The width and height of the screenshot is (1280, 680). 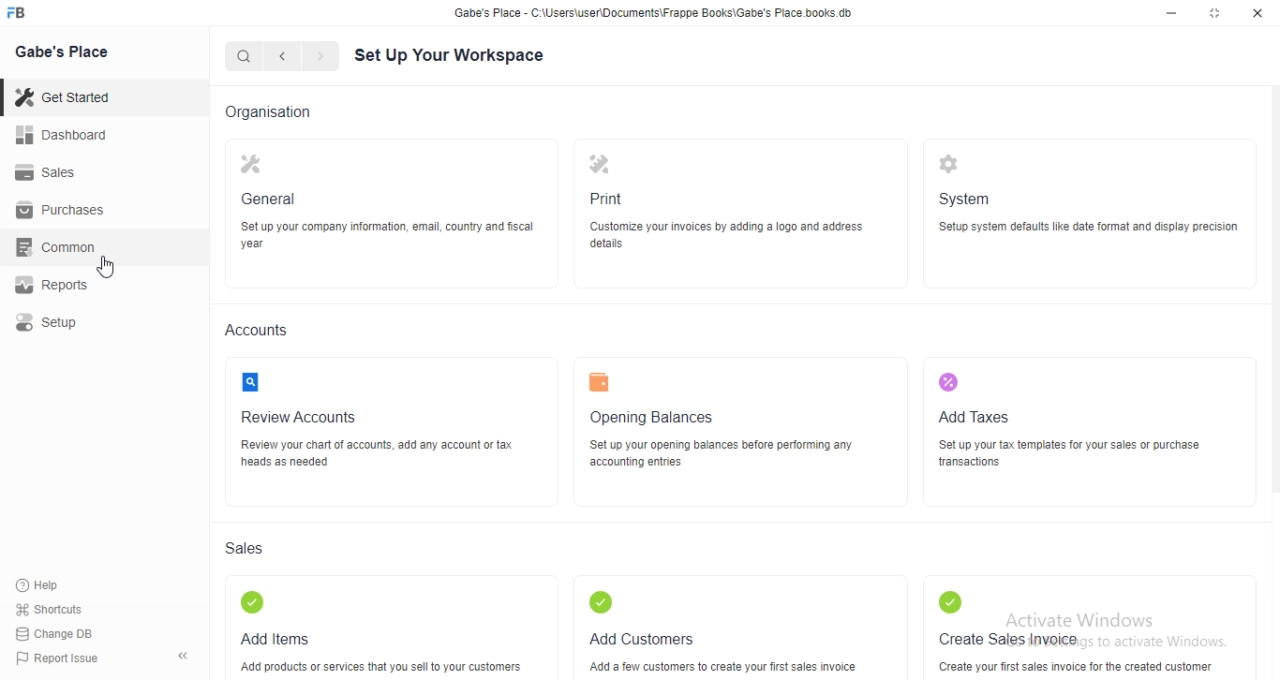 I want to click on Gabe's Place, so click(x=62, y=51).